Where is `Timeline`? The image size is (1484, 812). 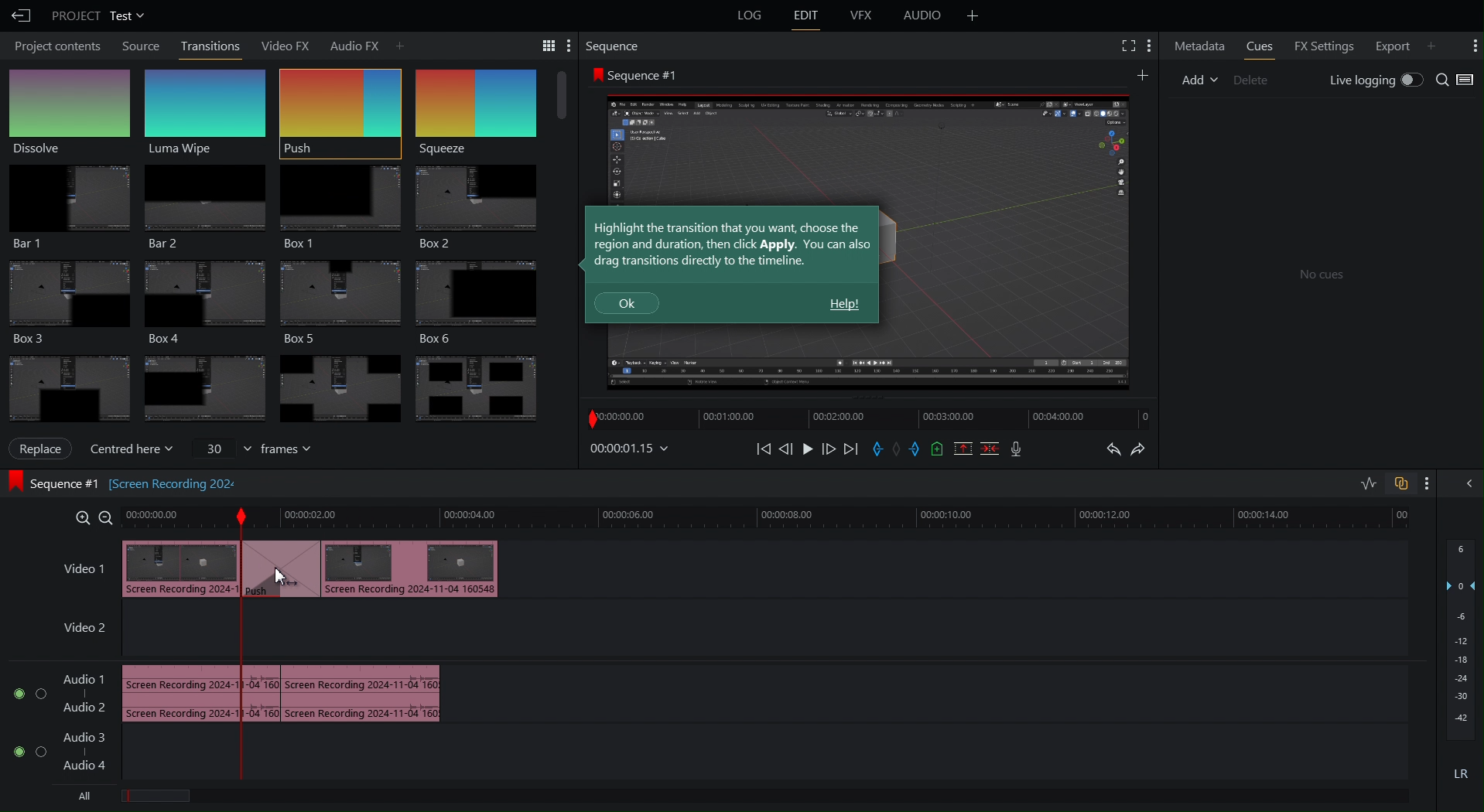 Timeline is located at coordinates (854, 421).